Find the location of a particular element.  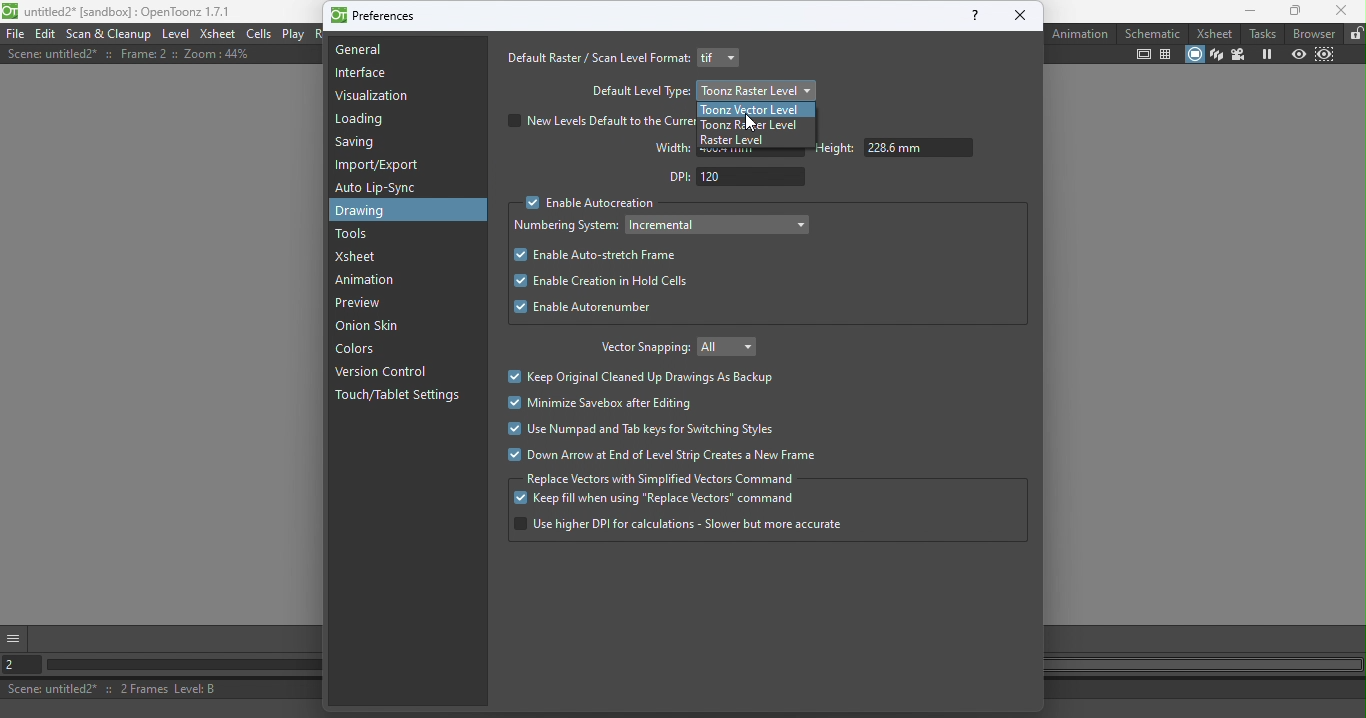

Tools is located at coordinates (355, 234).